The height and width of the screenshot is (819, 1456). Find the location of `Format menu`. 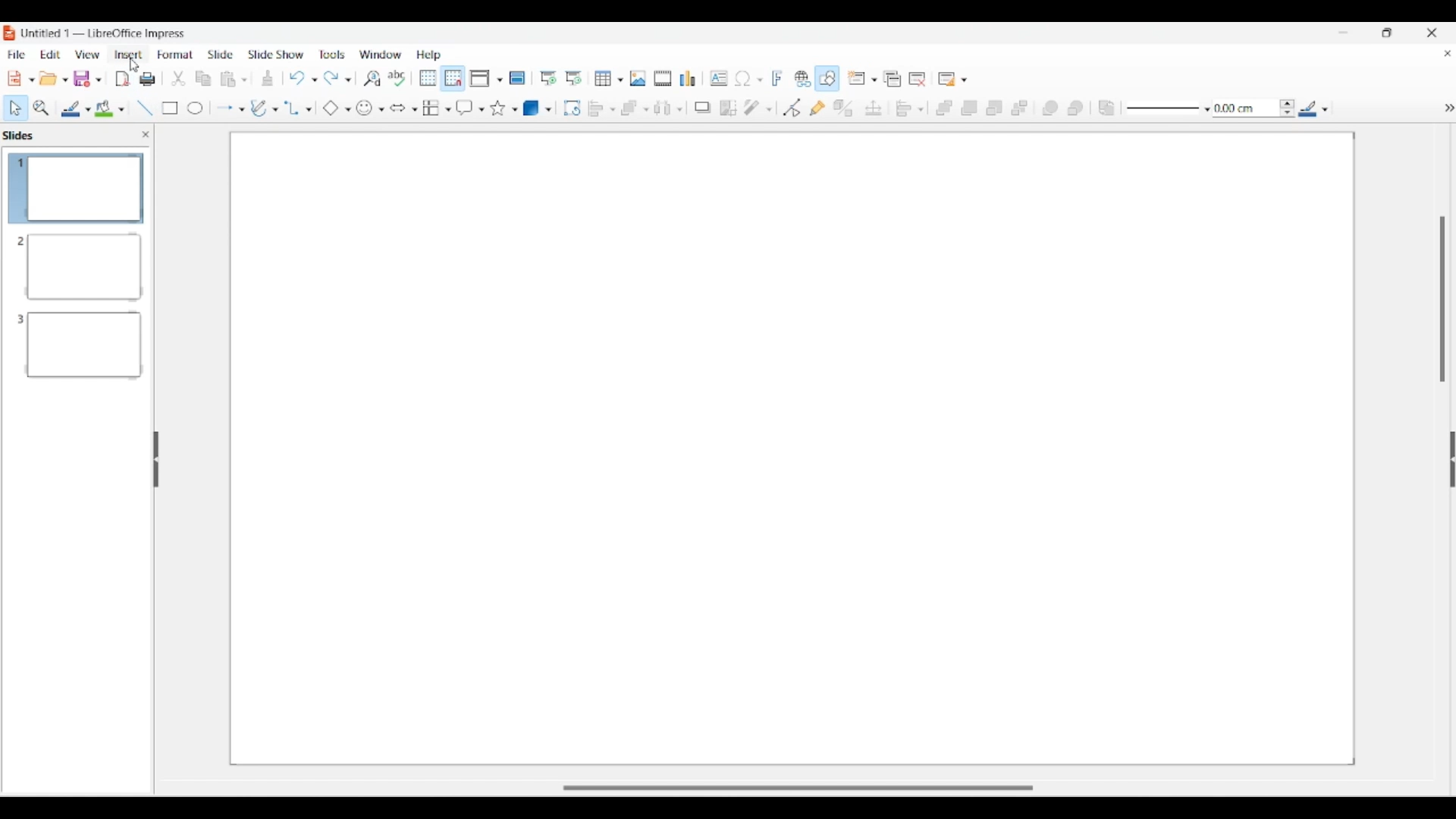

Format menu is located at coordinates (175, 55).